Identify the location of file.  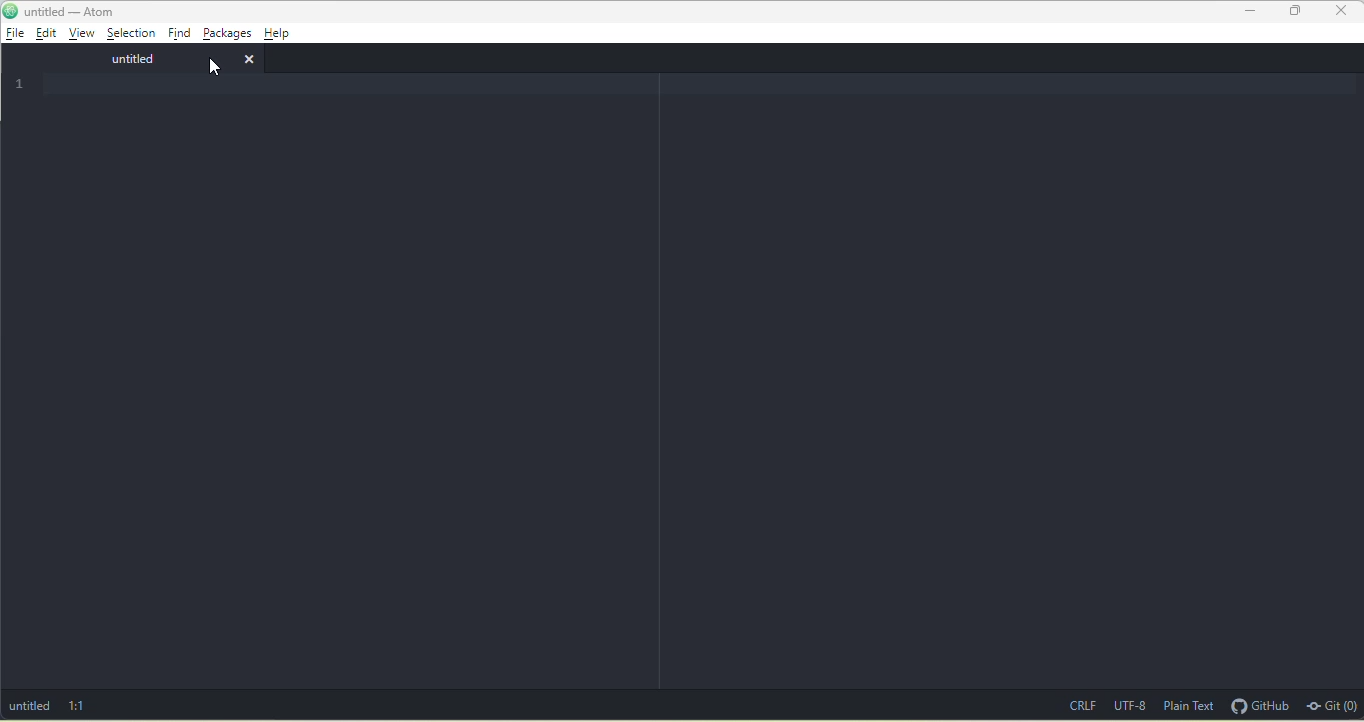
(16, 34).